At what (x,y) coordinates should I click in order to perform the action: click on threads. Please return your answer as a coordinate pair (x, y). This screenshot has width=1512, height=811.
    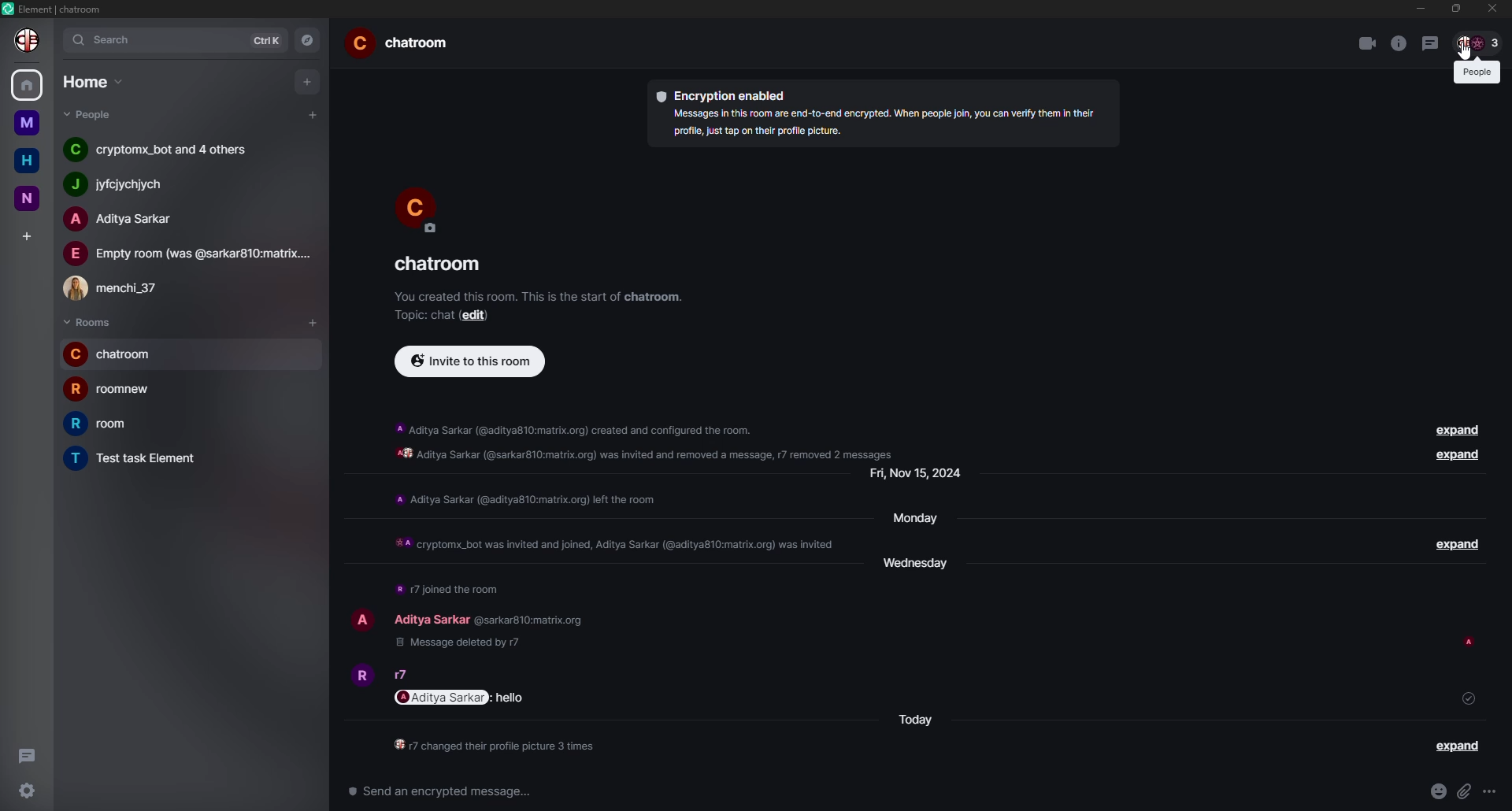
    Looking at the image, I should click on (1430, 43).